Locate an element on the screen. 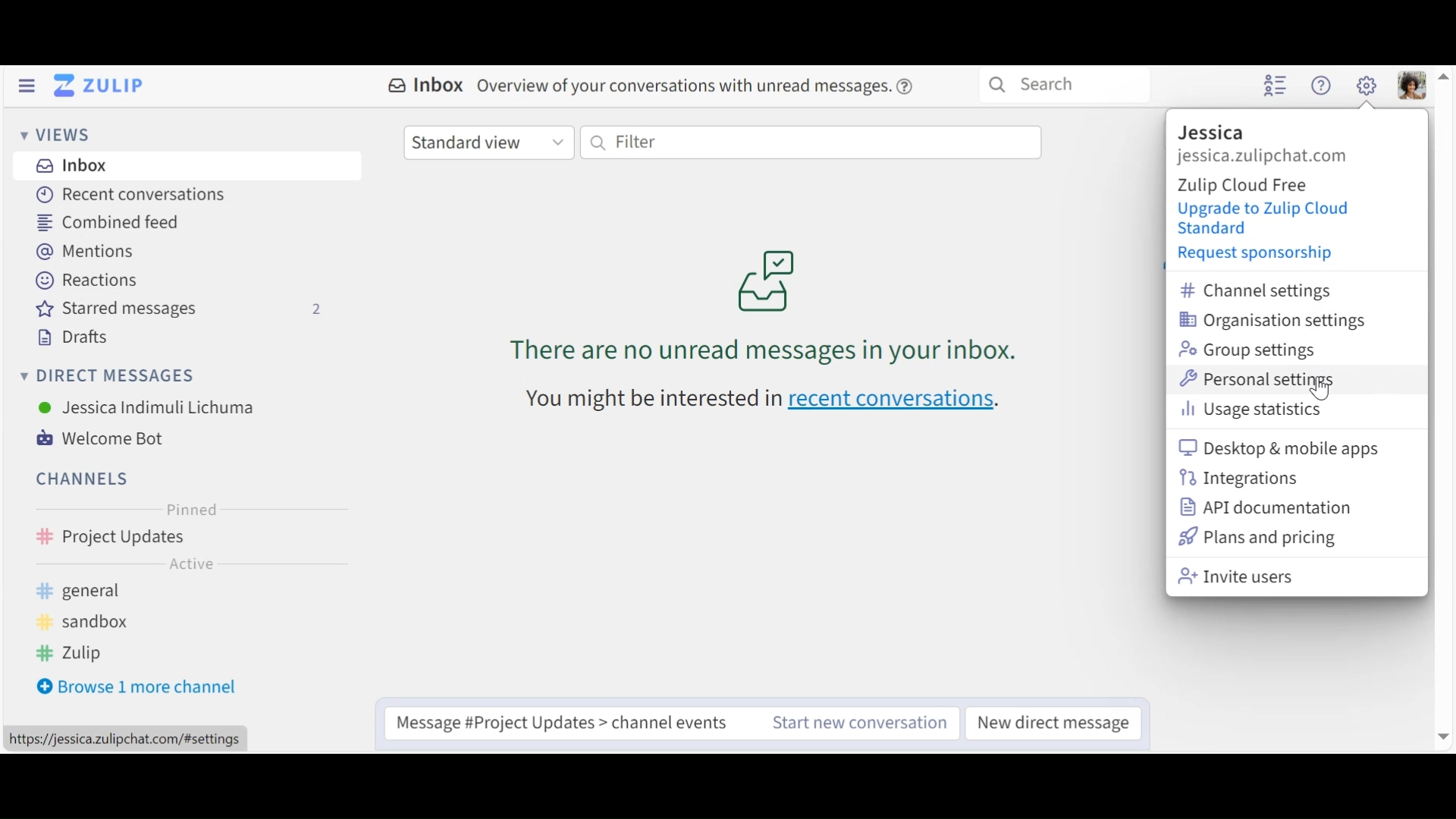  Active is located at coordinates (177, 567).